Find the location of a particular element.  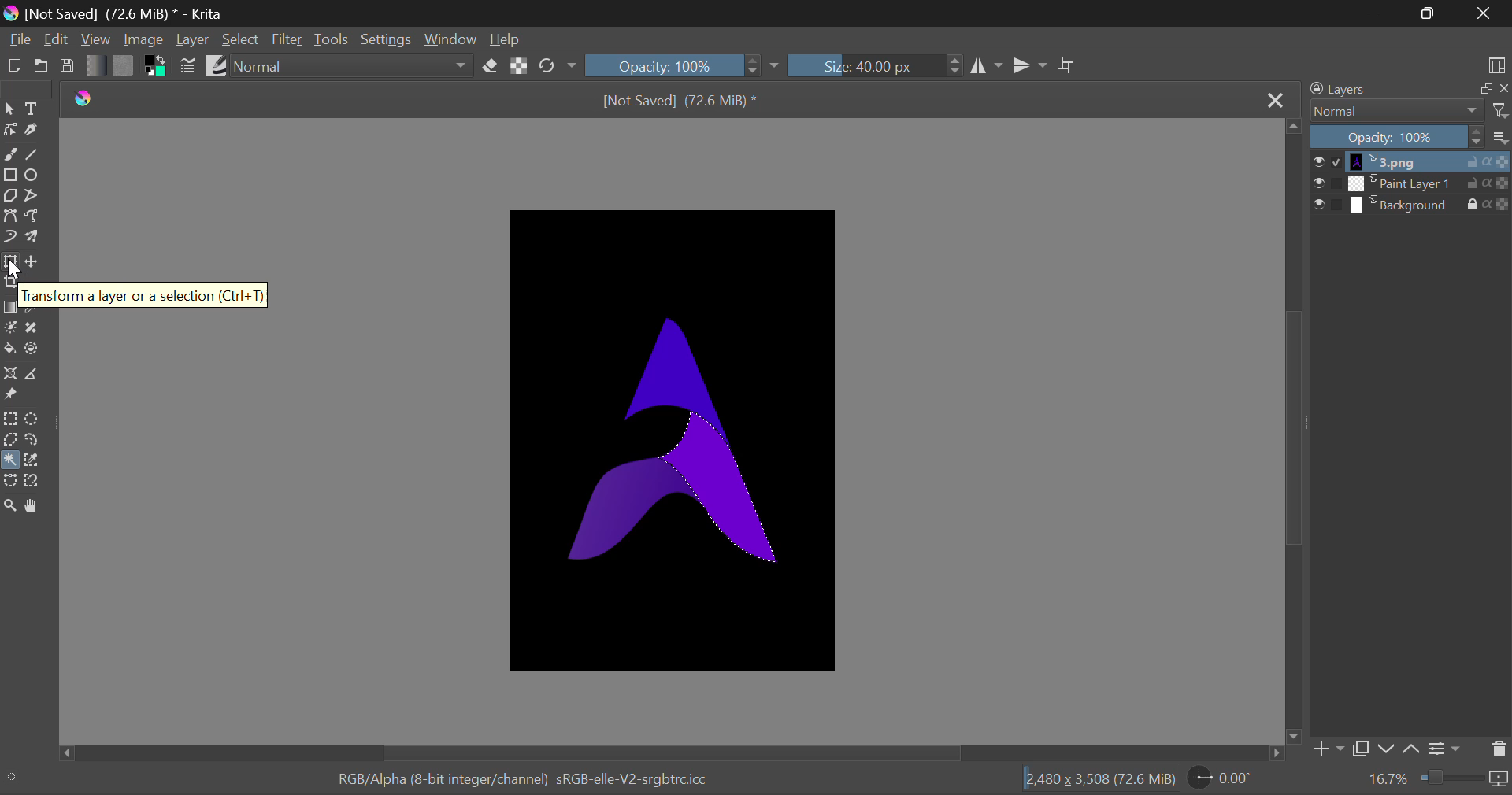

actions is located at coordinates (1488, 204).